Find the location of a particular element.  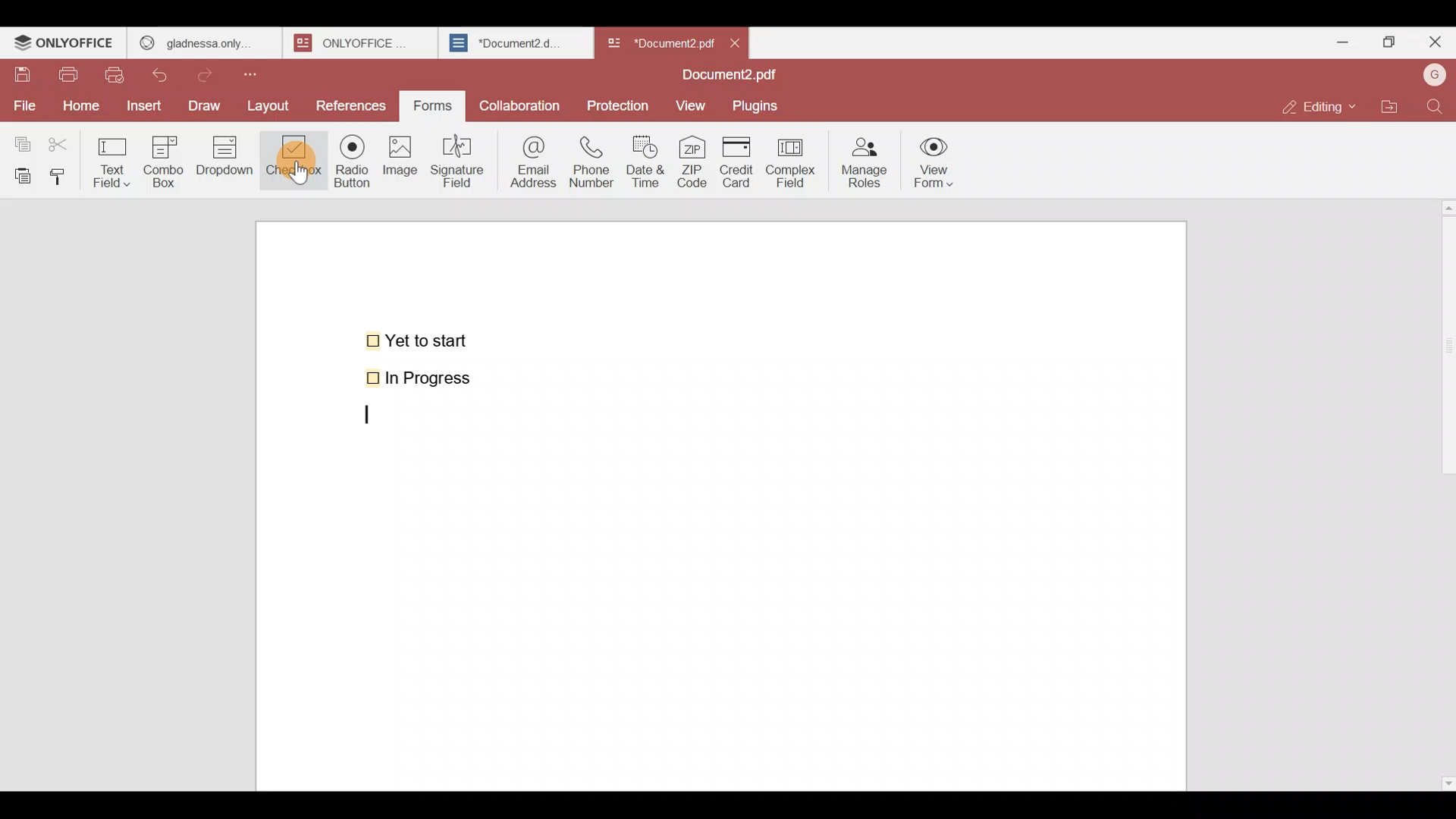

View form is located at coordinates (936, 163).